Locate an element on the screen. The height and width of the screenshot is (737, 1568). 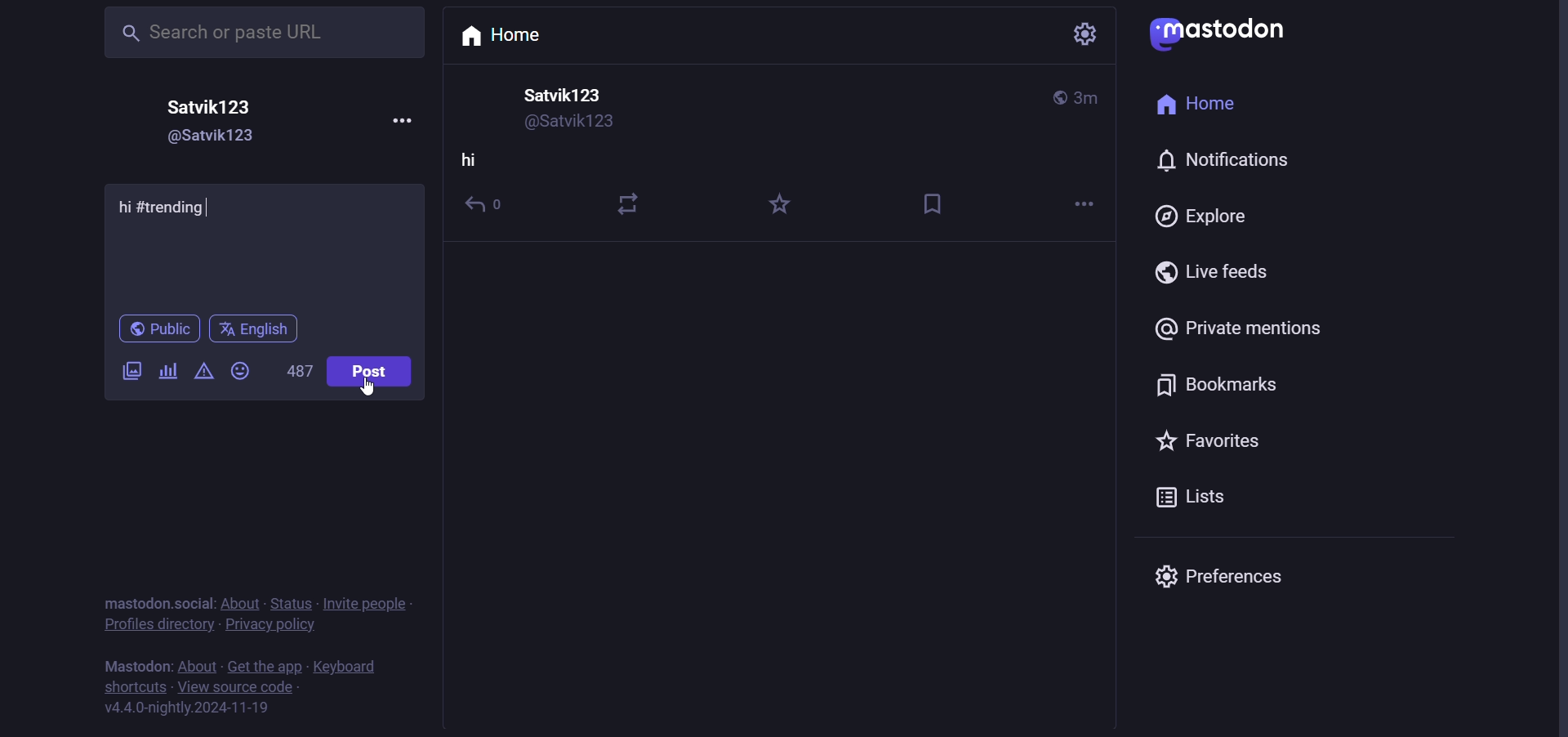
image/video is located at coordinates (132, 371).